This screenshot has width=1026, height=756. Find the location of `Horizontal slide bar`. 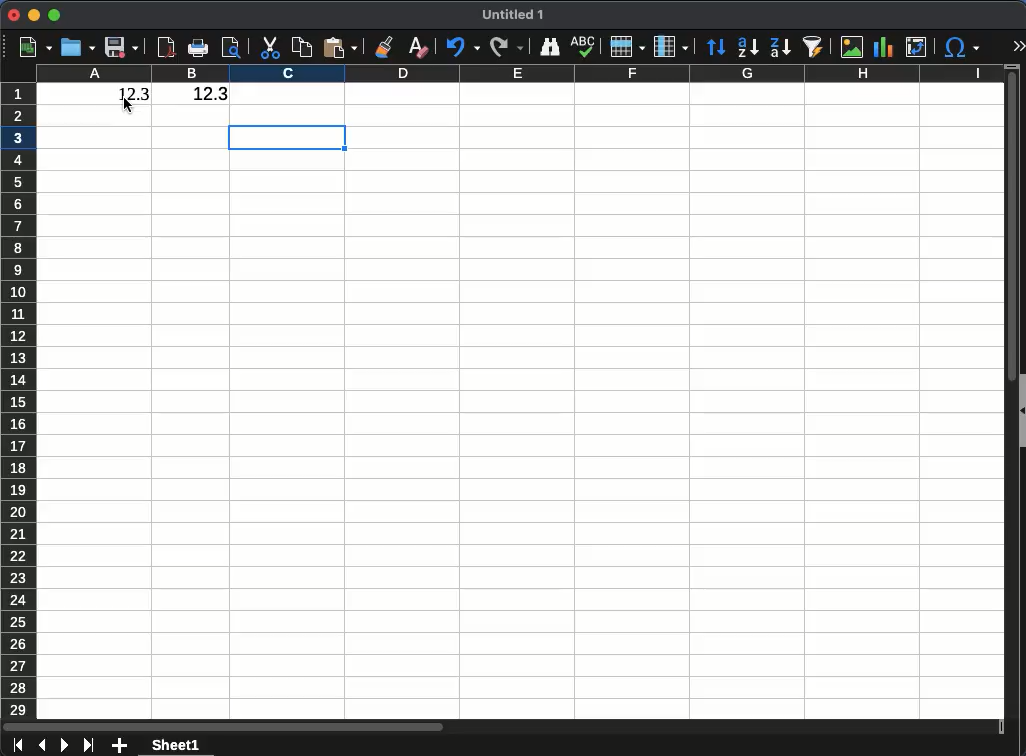

Horizontal slide bar is located at coordinates (223, 728).